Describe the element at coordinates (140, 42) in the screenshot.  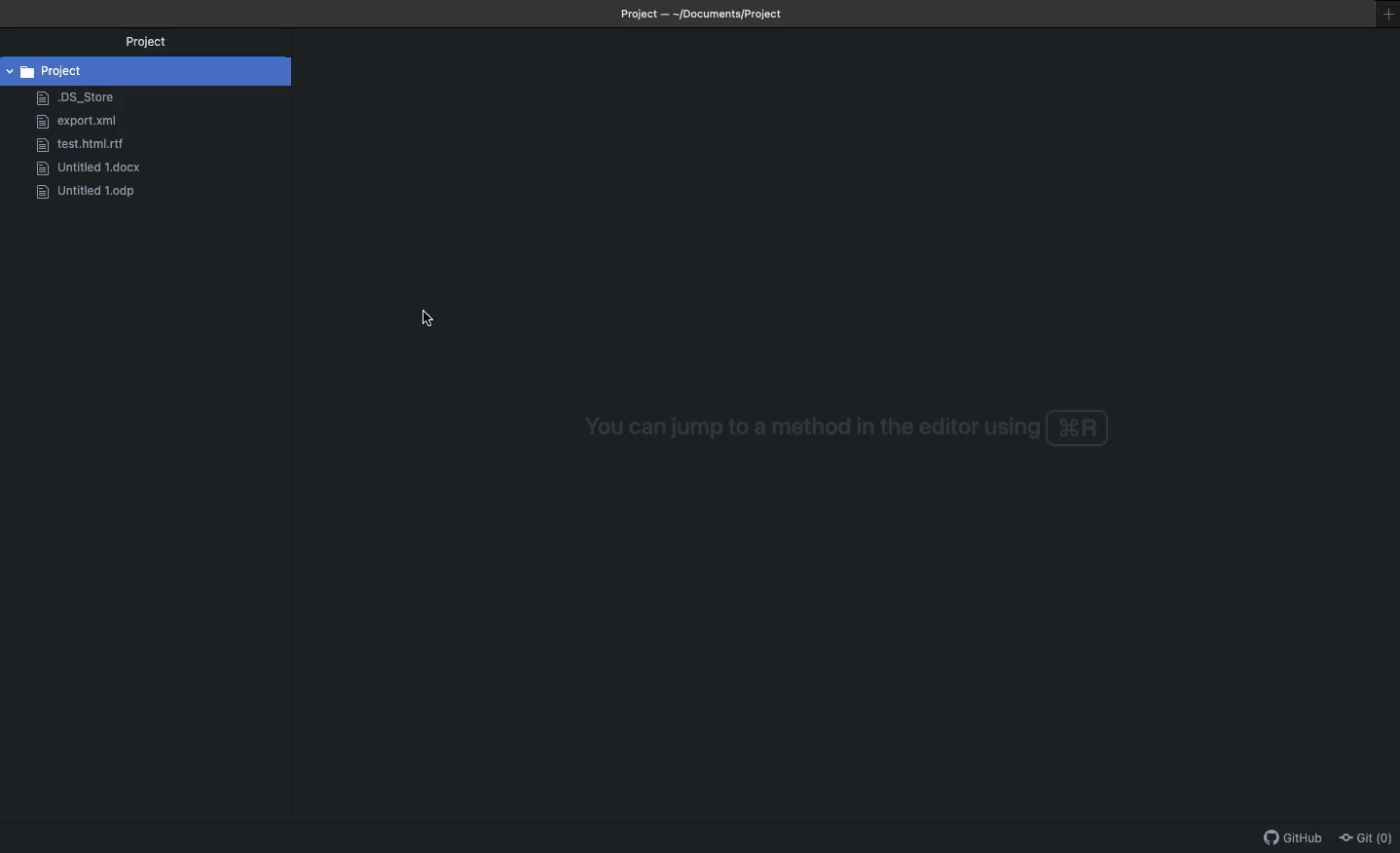
I see `Project` at that location.